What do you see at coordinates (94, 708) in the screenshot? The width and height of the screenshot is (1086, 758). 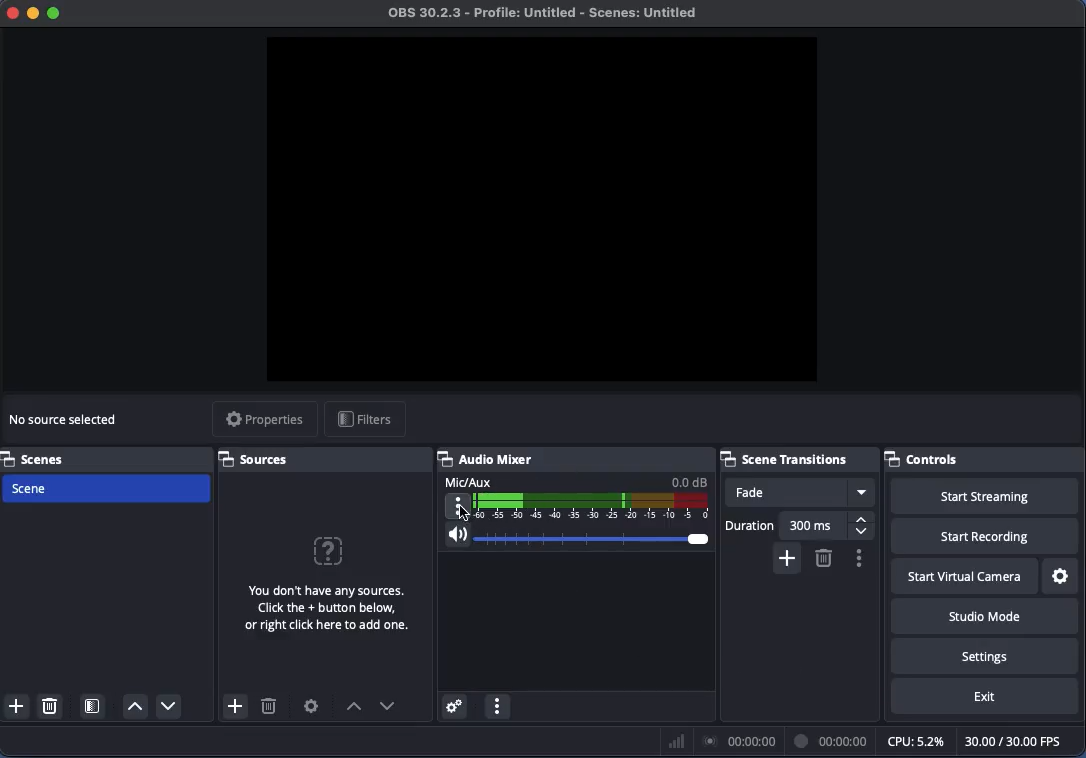 I see `Open scene filters` at bounding box center [94, 708].